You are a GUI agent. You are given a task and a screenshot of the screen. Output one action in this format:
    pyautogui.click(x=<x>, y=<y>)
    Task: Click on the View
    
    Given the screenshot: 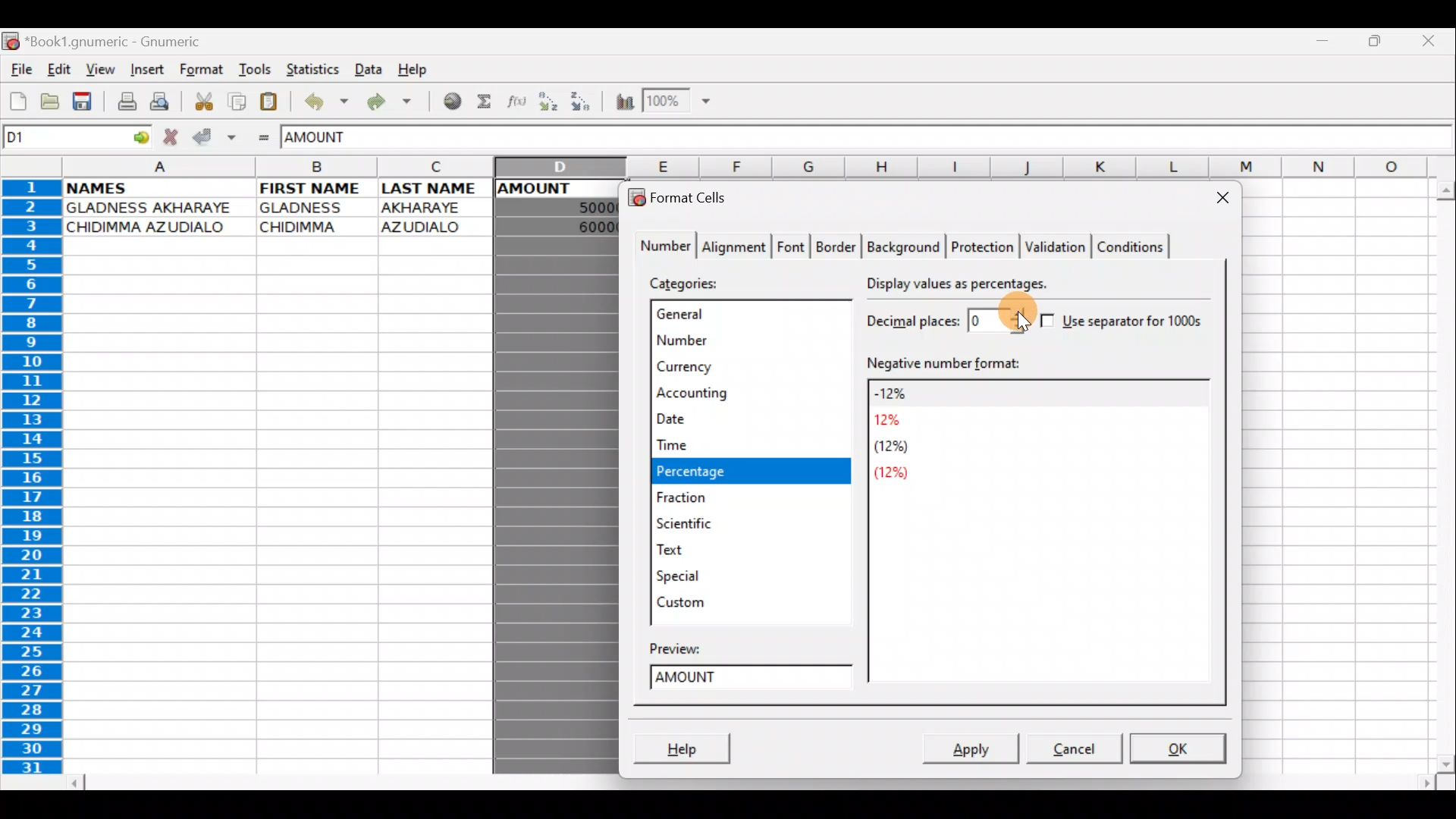 What is the action you would take?
    pyautogui.click(x=101, y=69)
    